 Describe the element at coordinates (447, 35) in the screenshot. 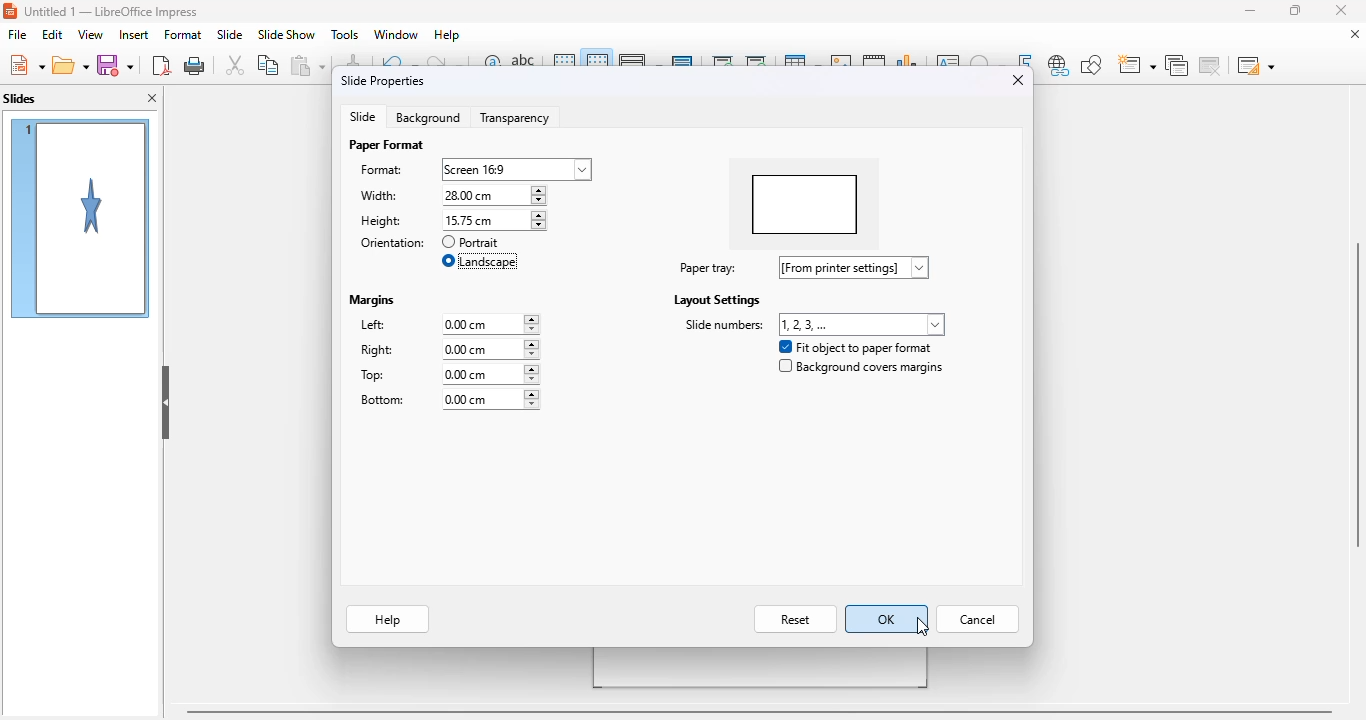

I see `help` at that location.